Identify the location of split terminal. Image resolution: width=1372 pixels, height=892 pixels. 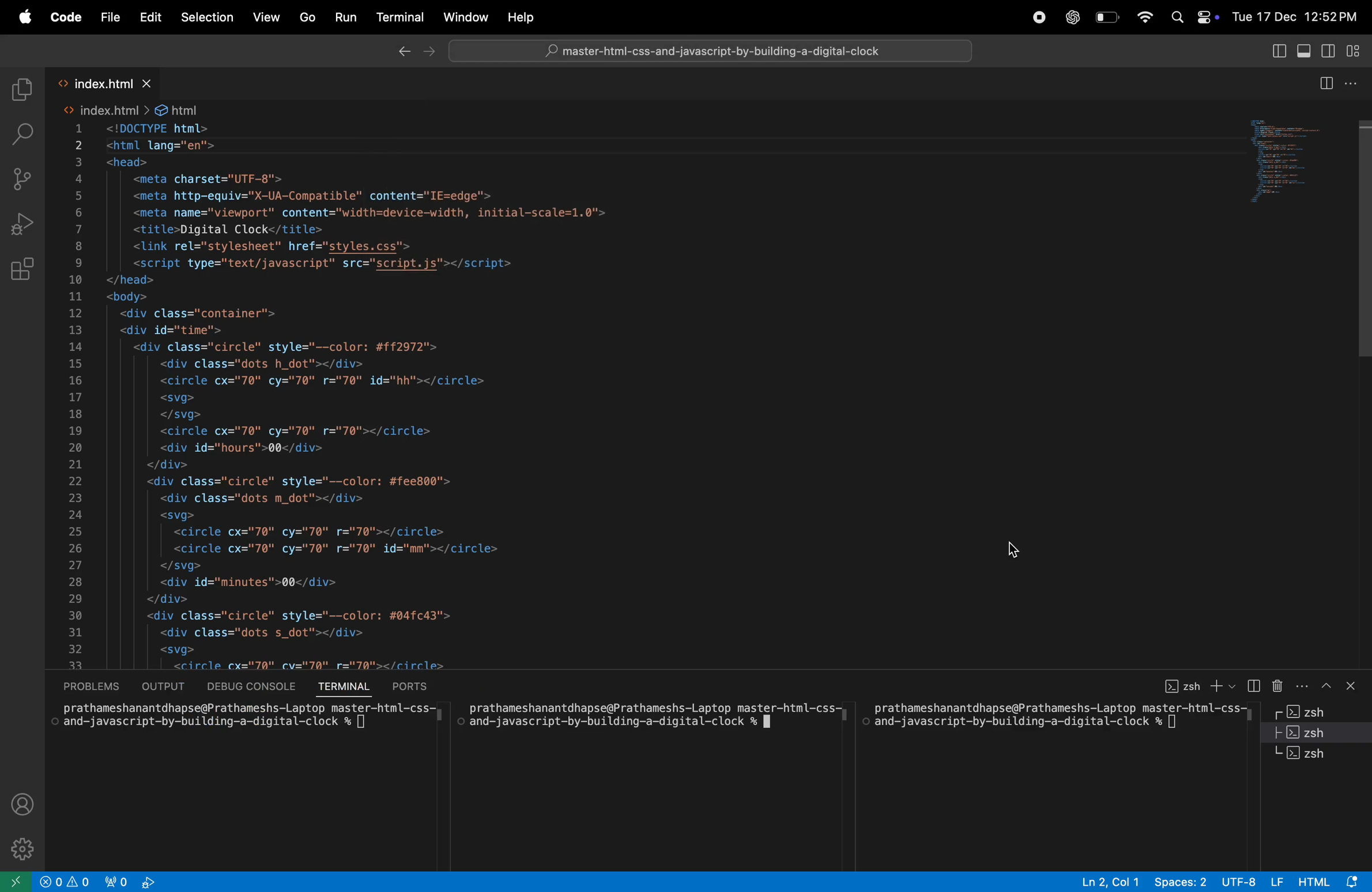
(1255, 685).